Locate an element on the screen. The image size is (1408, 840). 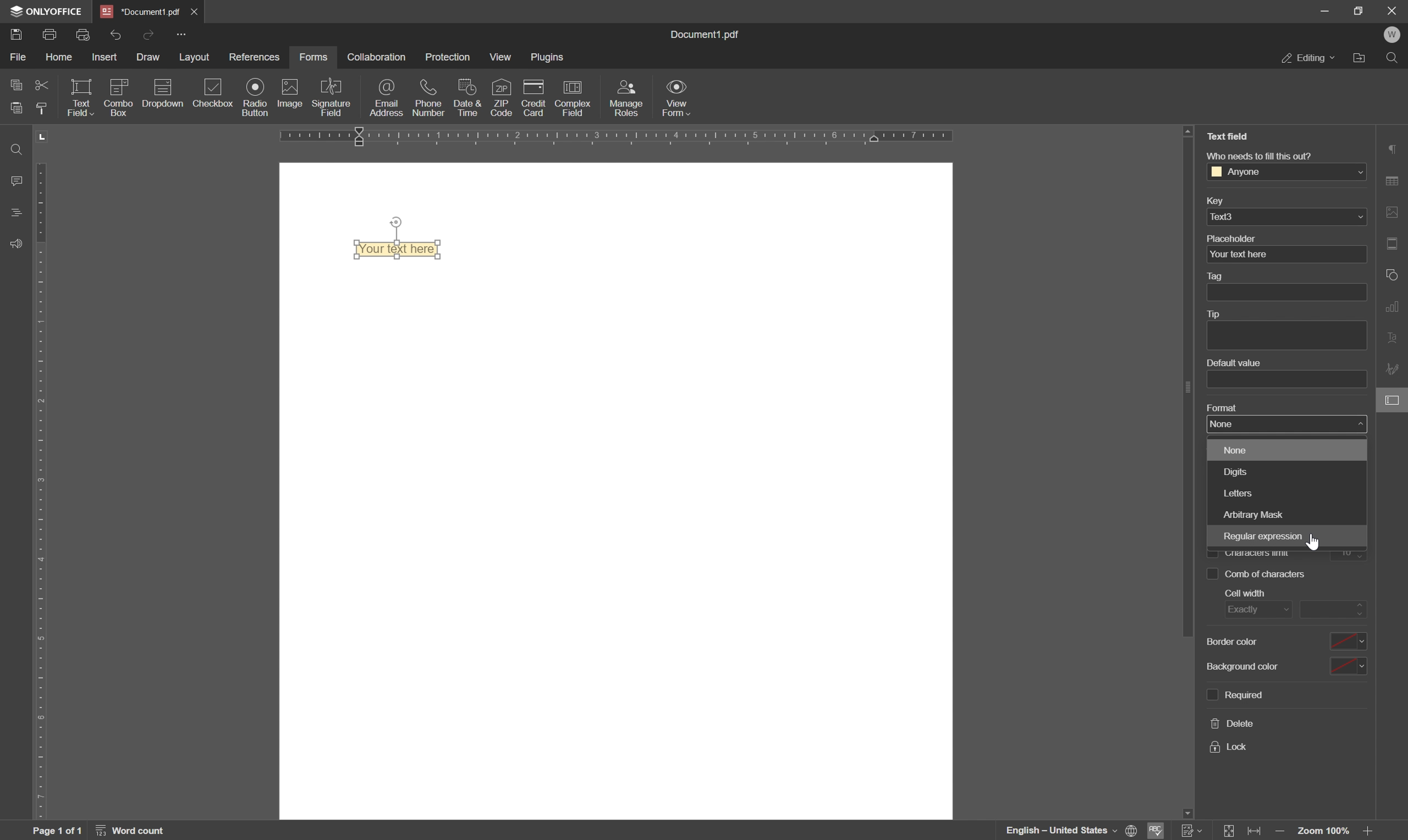
draw is located at coordinates (149, 59).